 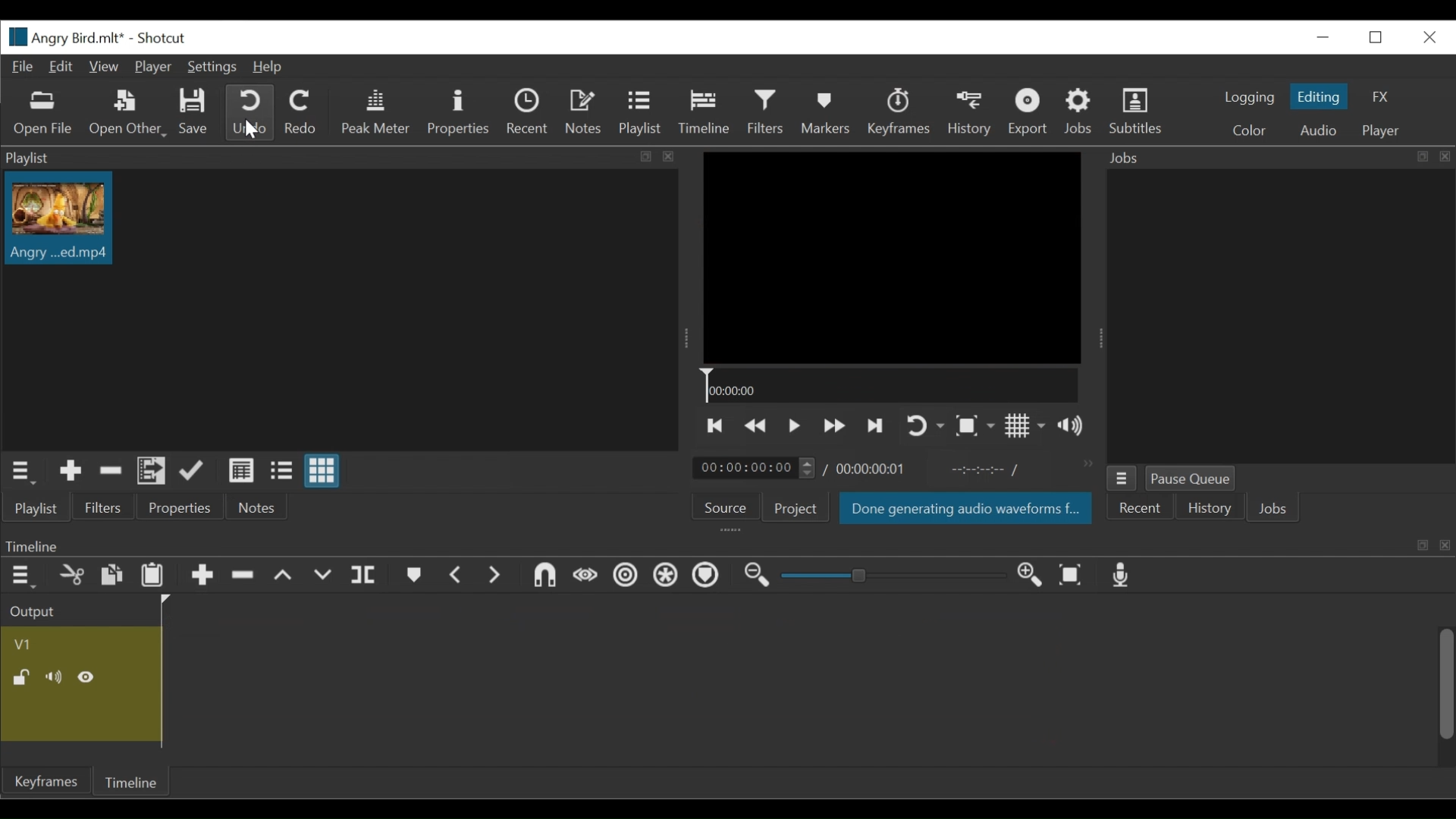 I want to click on Add filesto the playlist, so click(x=152, y=470).